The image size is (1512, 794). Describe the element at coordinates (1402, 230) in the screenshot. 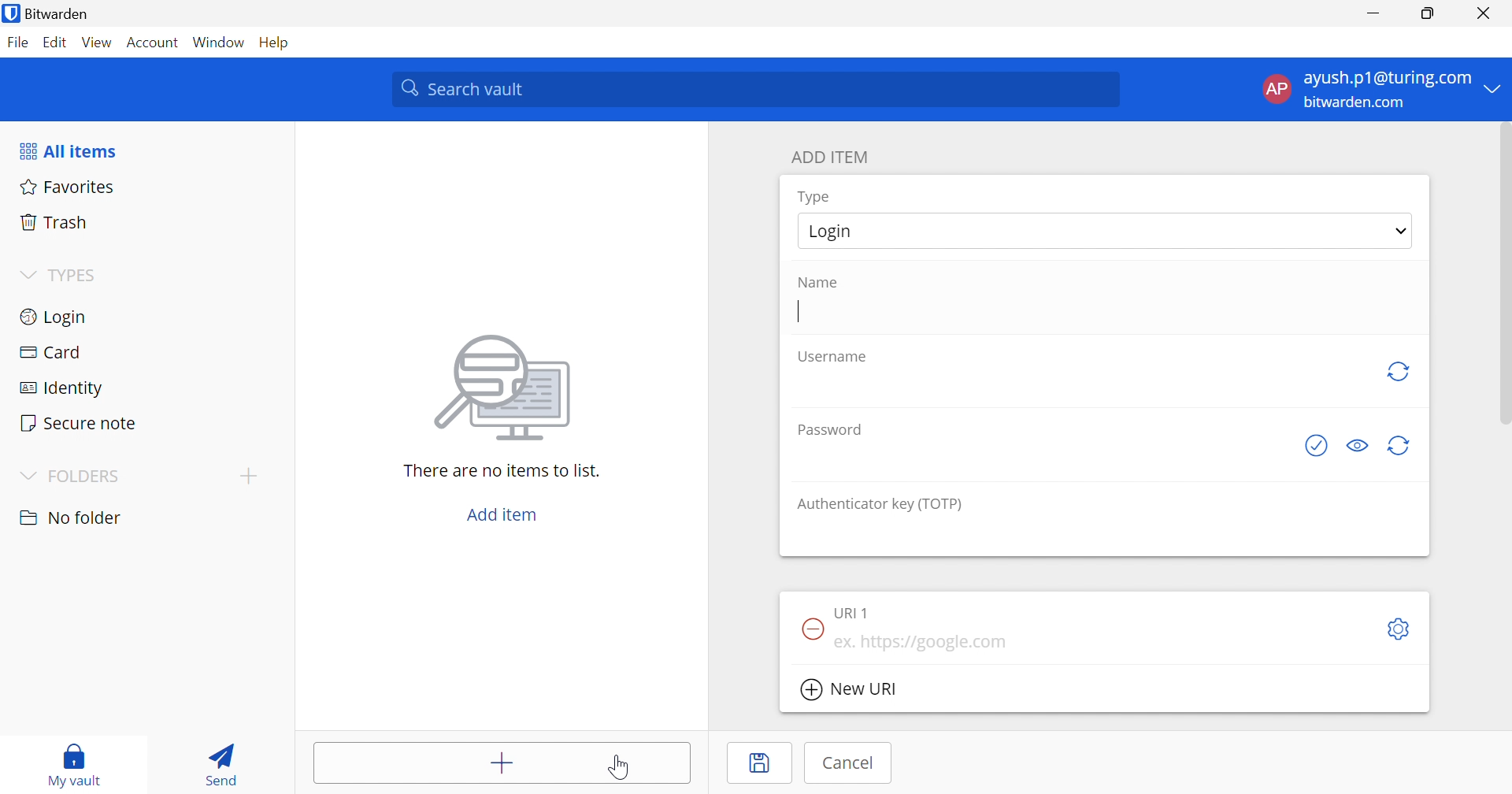

I see `Drop Down` at that location.